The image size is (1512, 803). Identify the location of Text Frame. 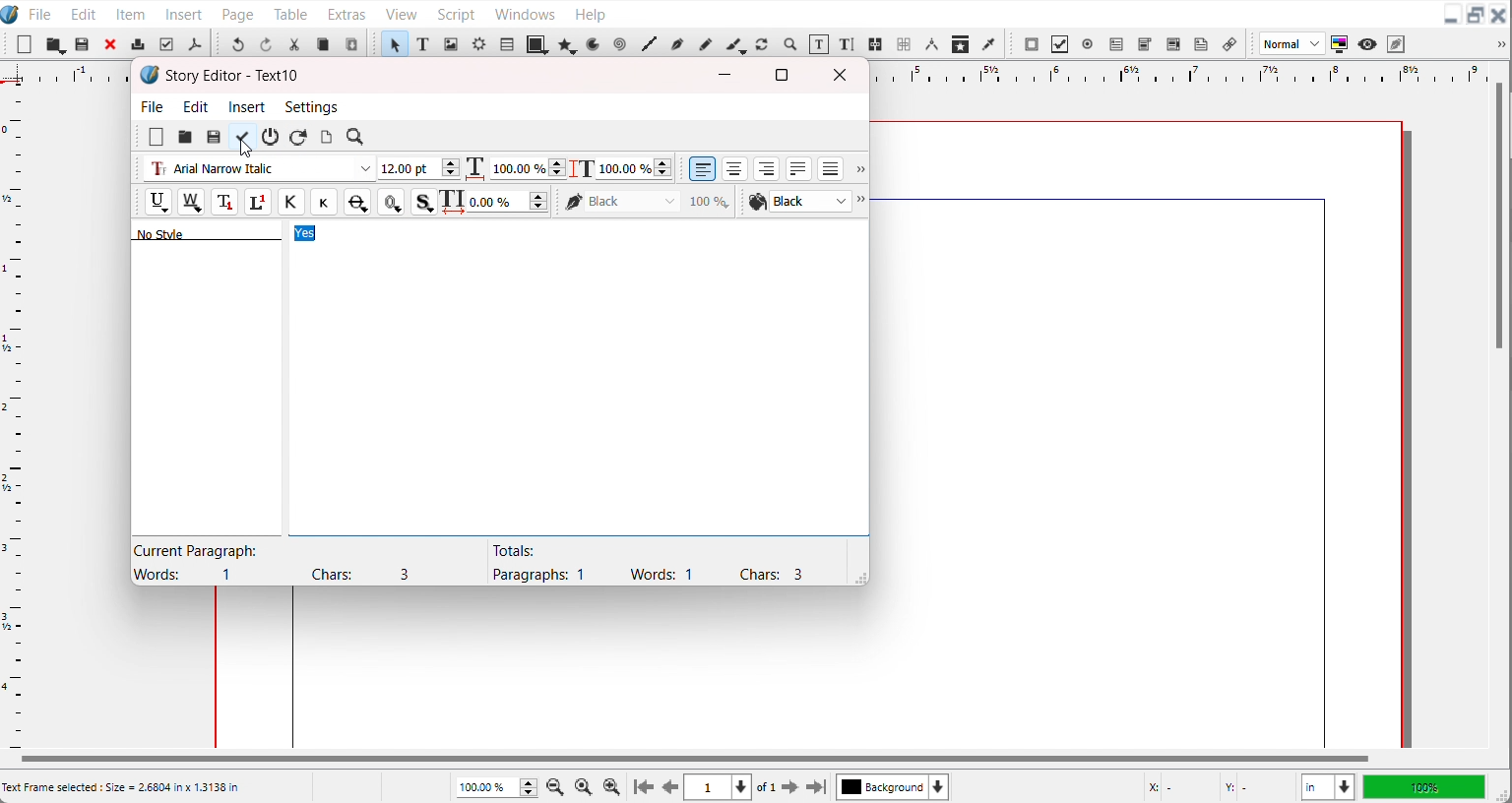
(423, 43).